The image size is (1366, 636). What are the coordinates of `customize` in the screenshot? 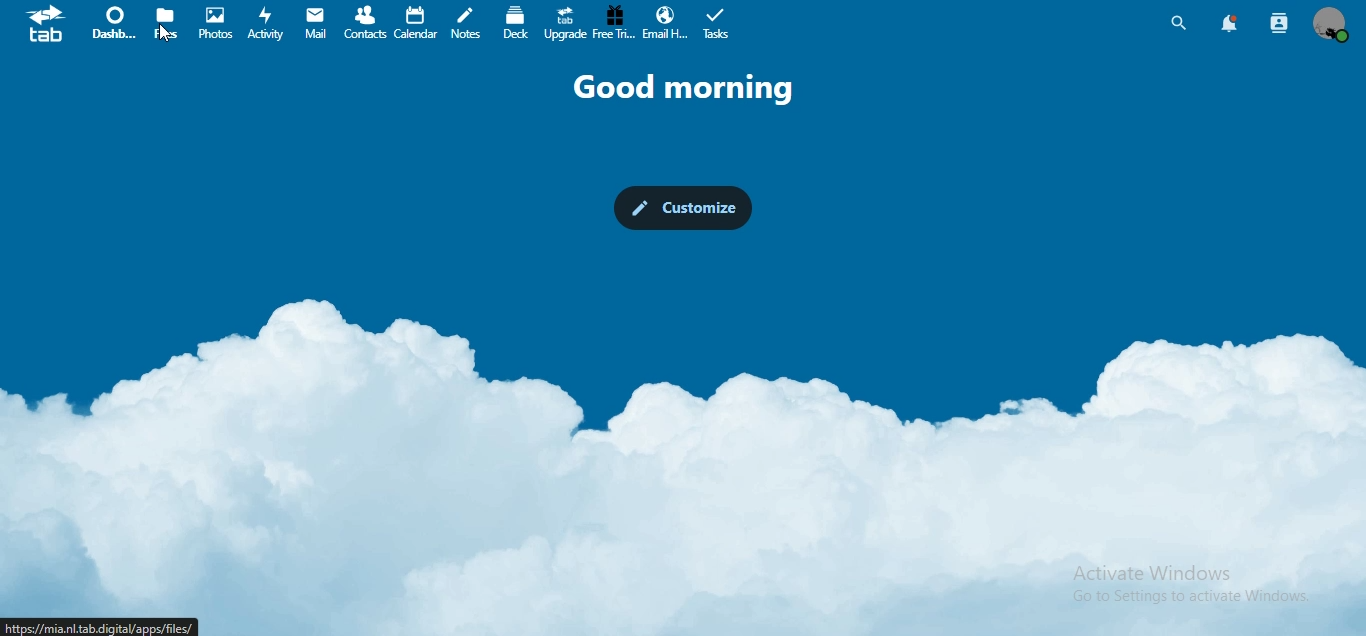 It's located at (686, 209).